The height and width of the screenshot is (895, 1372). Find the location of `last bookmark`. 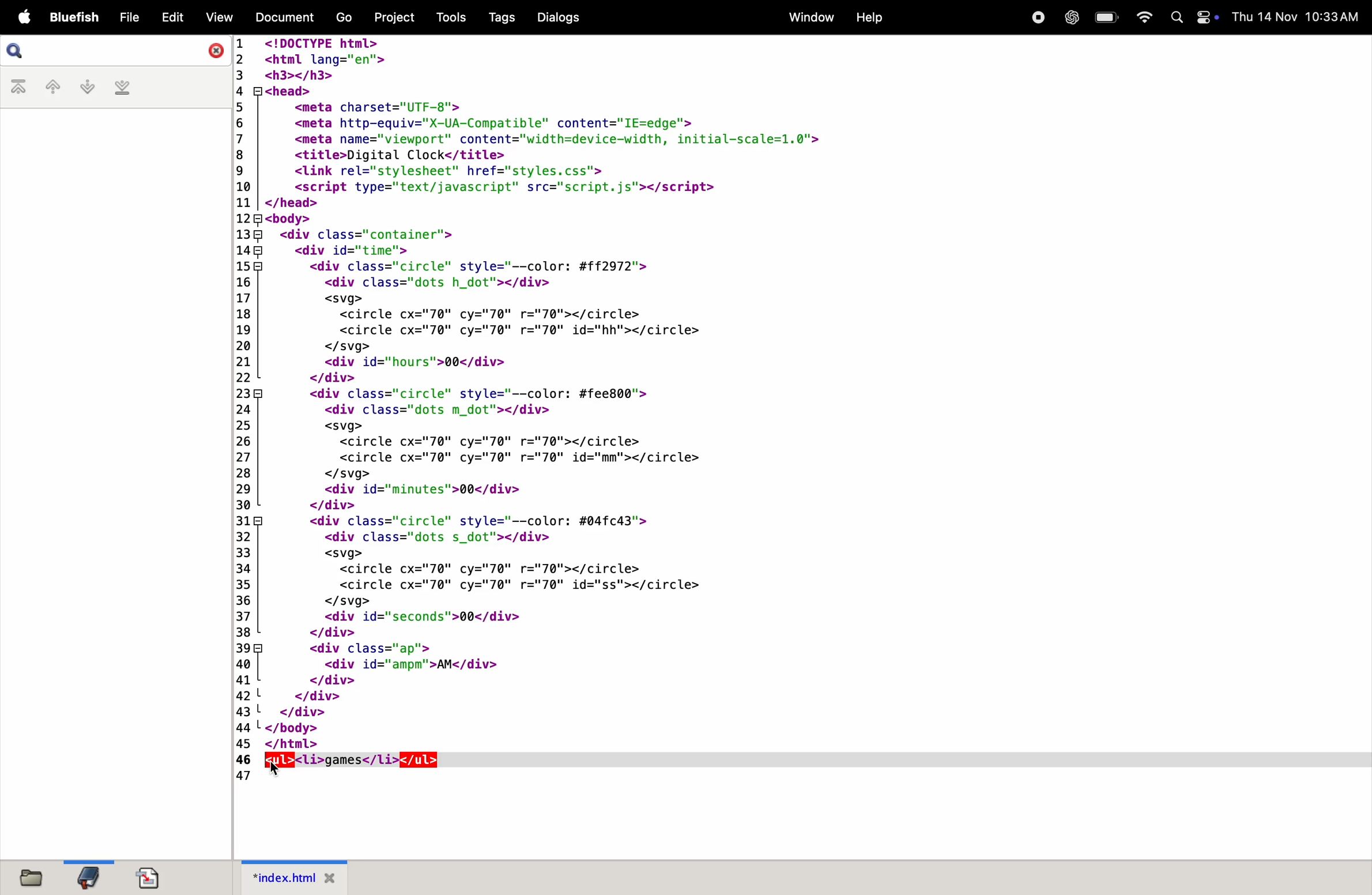

last bookmark is located at coordinates (123, 89).